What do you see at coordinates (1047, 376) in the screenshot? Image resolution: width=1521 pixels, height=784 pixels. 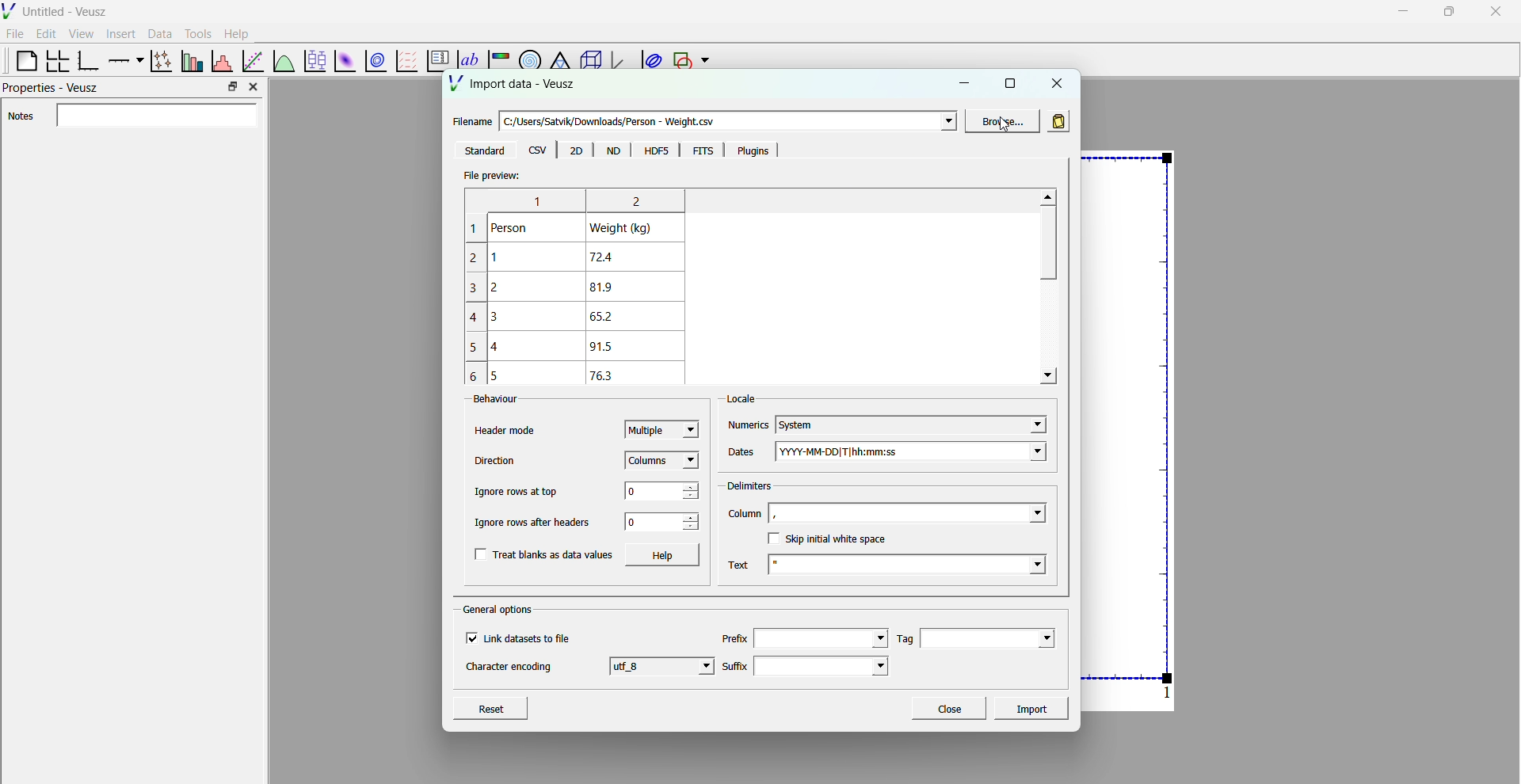 I see `down` at bounding box center [1047, 376].